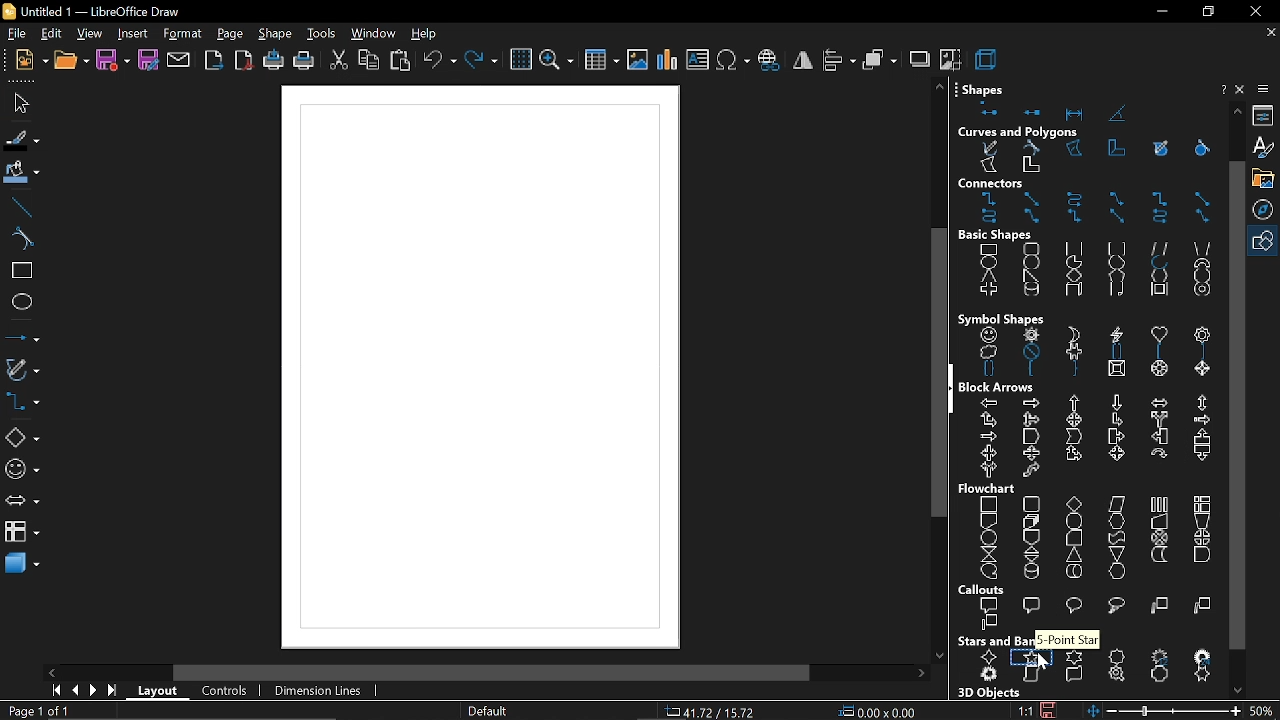 The width and height of the screenshot is (1280, 720). What do you see at coordinates (878, 712) in the screenshot?
I see `position` at bounding box center [878, 712].